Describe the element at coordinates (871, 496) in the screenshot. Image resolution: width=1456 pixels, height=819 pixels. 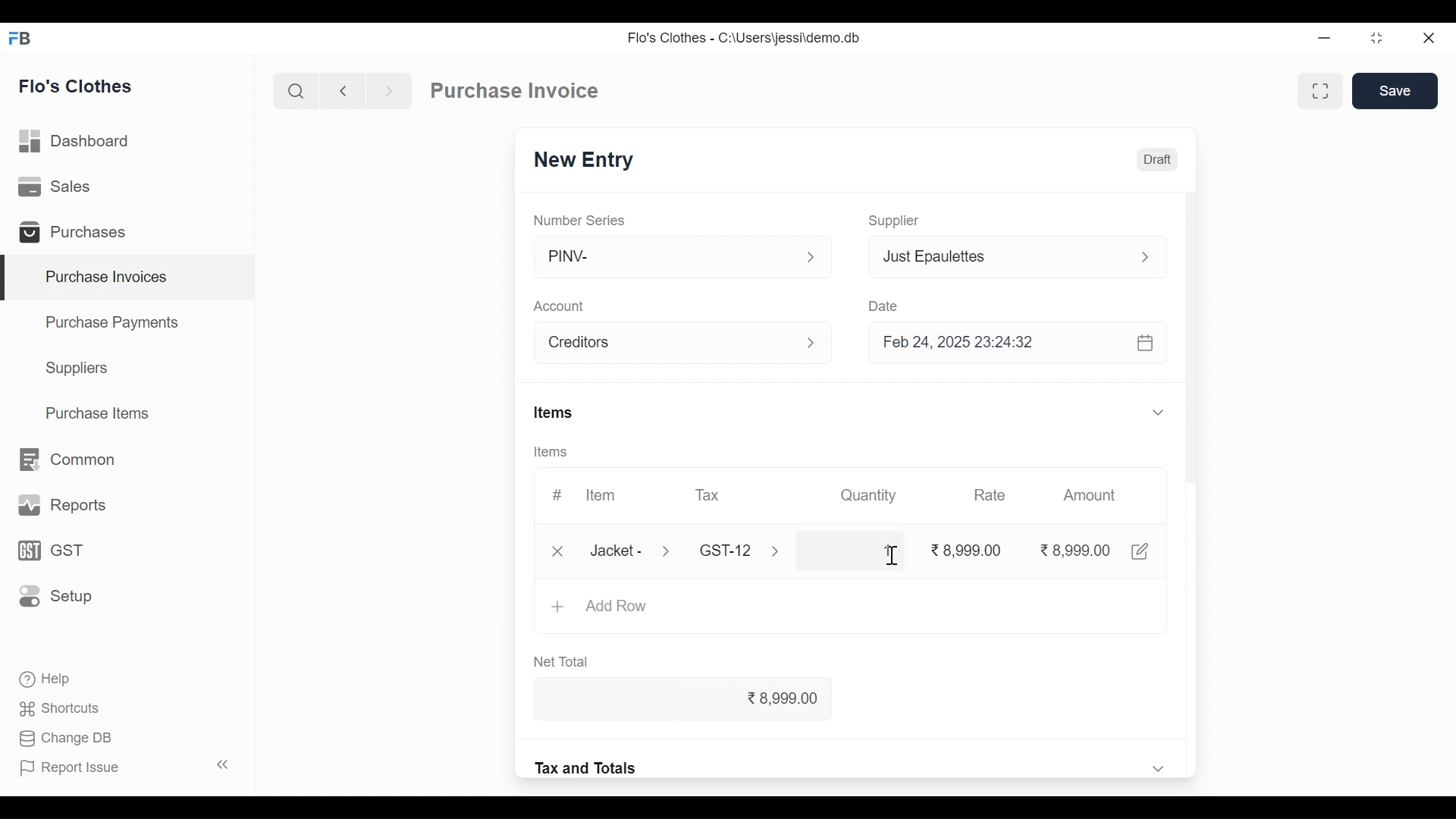
I see `Quantity` at that location.